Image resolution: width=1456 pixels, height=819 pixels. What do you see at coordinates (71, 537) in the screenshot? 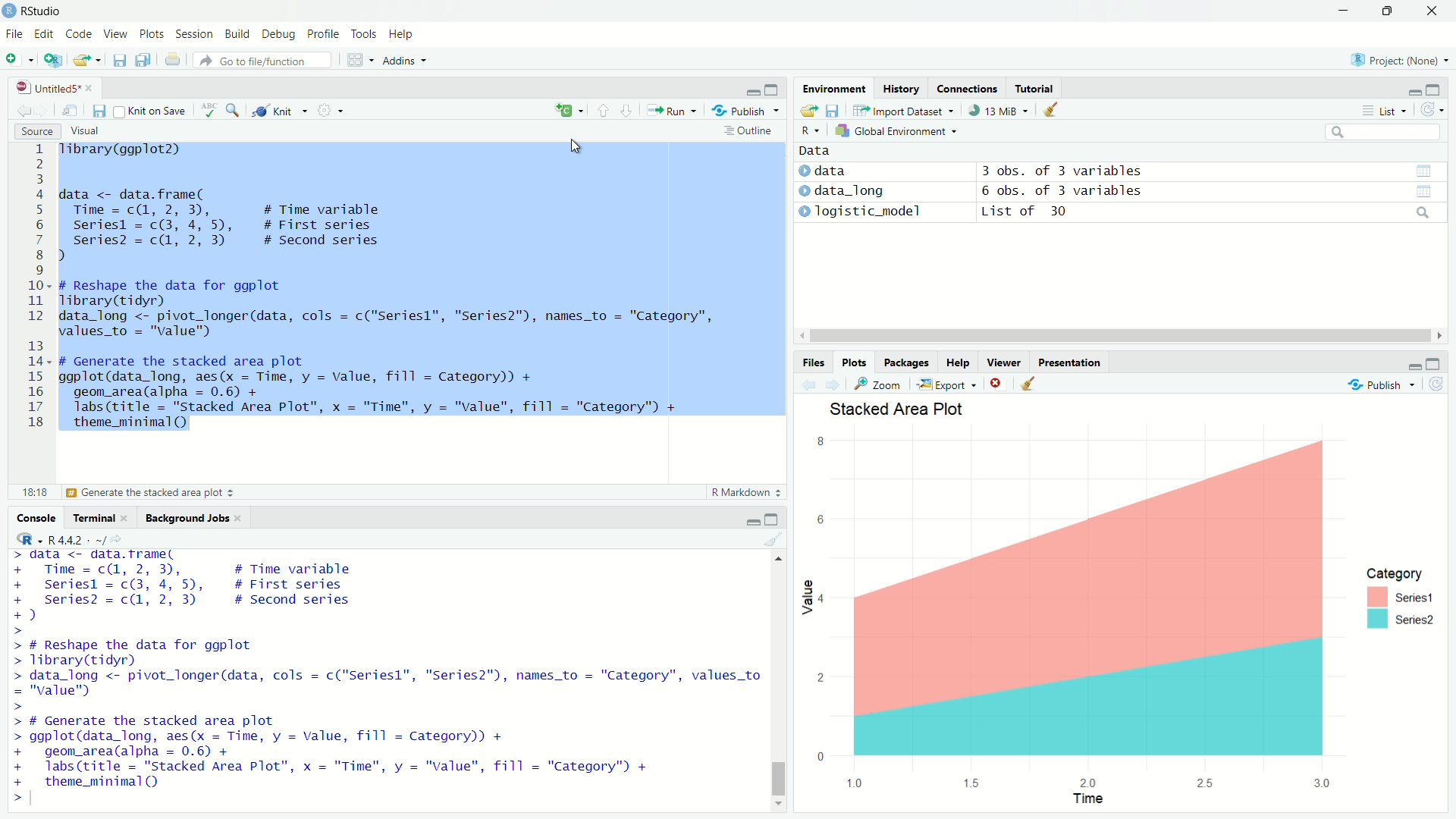
I see `«R442 -` at bounding box center [71, 537].